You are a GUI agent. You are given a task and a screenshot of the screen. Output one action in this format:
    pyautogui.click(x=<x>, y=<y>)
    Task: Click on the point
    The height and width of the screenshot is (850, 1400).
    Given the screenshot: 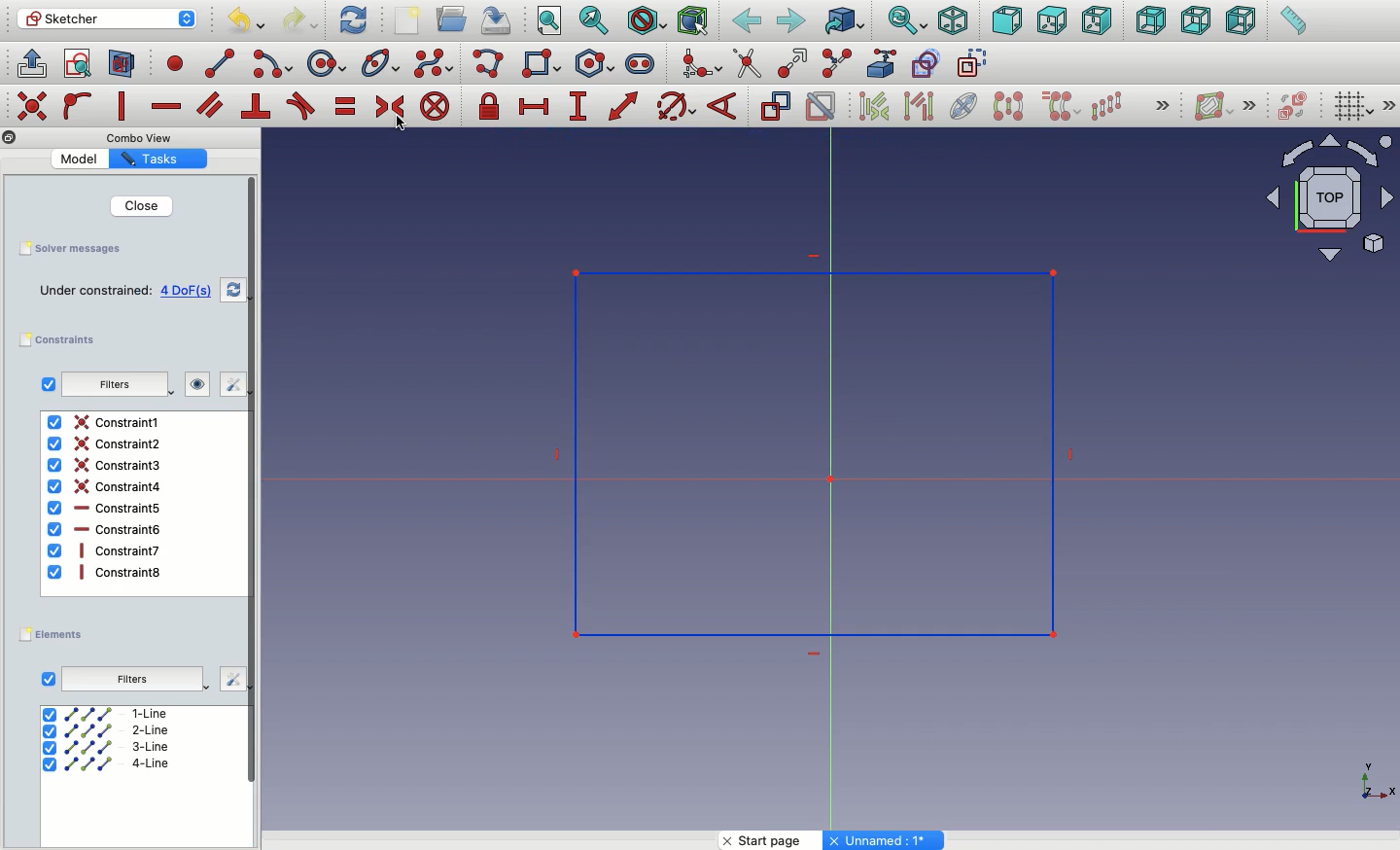 What is the action you would take?
    pyautogui.click(x=171, y=62)
    